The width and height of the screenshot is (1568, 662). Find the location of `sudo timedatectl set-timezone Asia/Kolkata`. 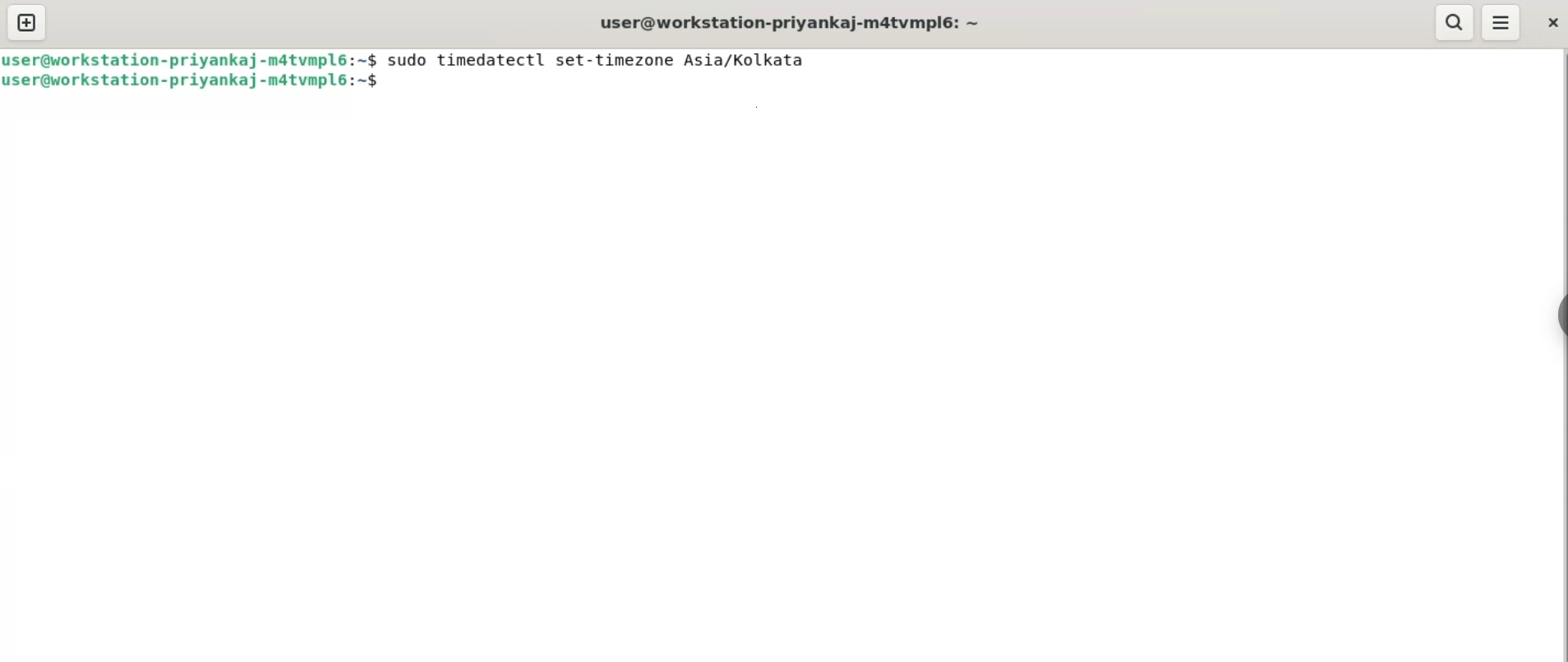

sudo timedatectl set-timezone Asia/Kolkata is located at coordinates (598, 60).